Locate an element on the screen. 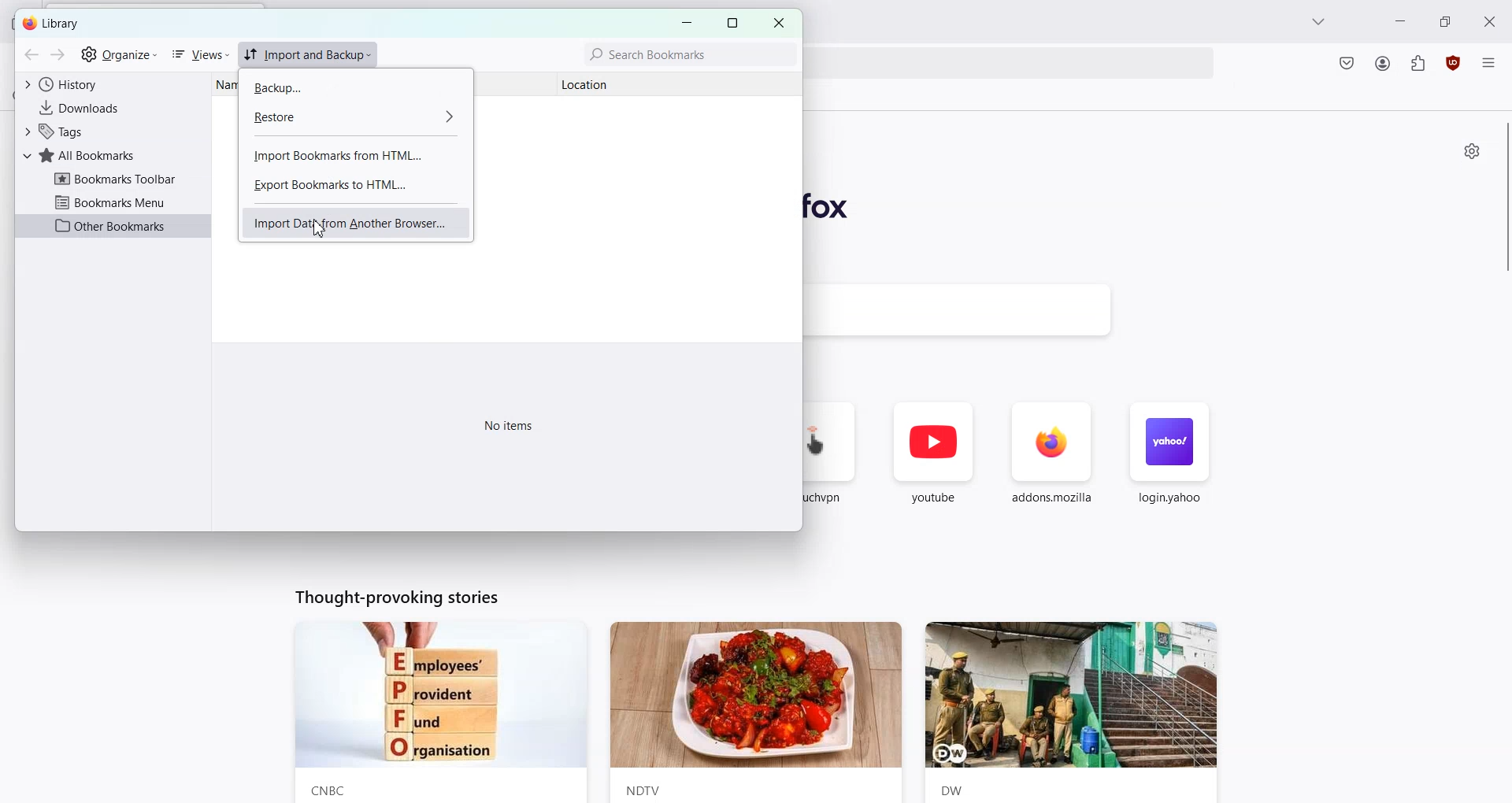  Organize is located at coordinates (119, 55).